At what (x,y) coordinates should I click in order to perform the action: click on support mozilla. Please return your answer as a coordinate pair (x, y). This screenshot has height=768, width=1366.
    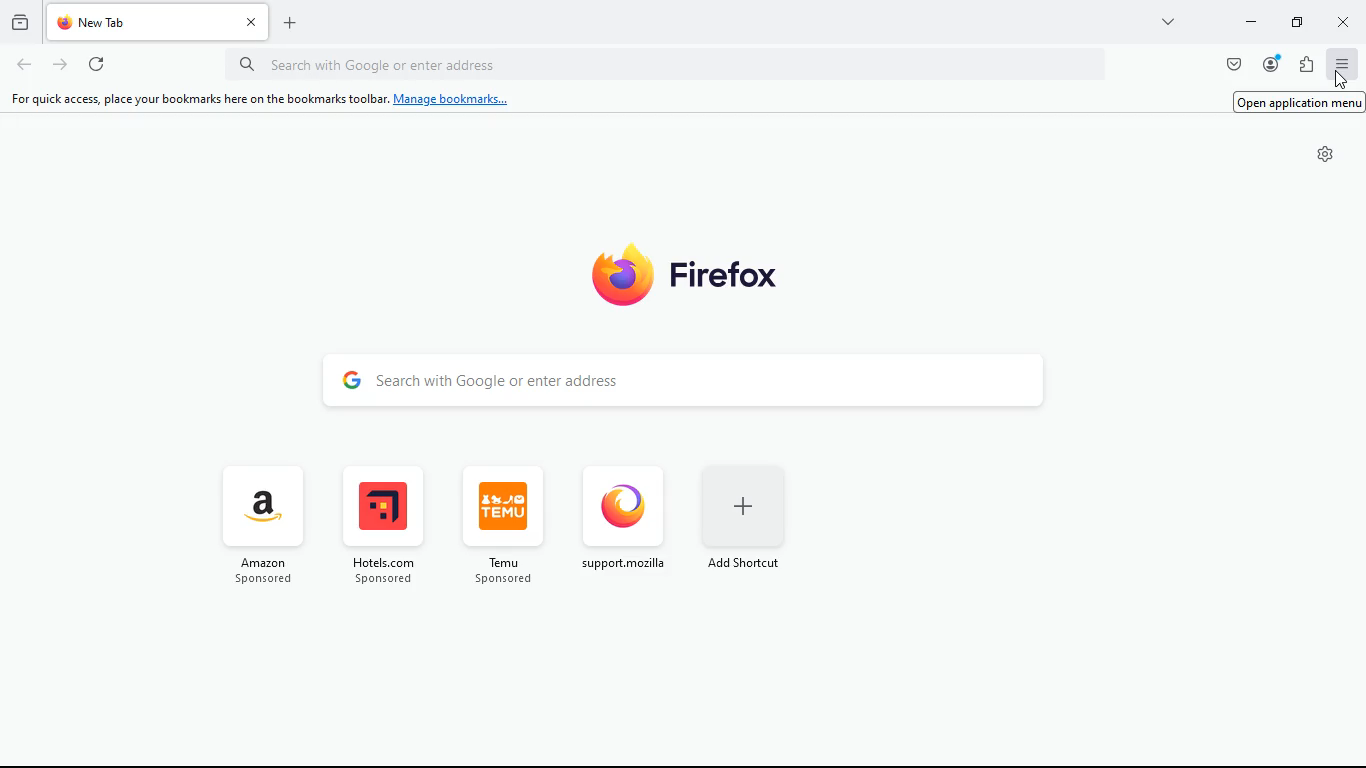
    Looking at the image, I should click on (621, 517).